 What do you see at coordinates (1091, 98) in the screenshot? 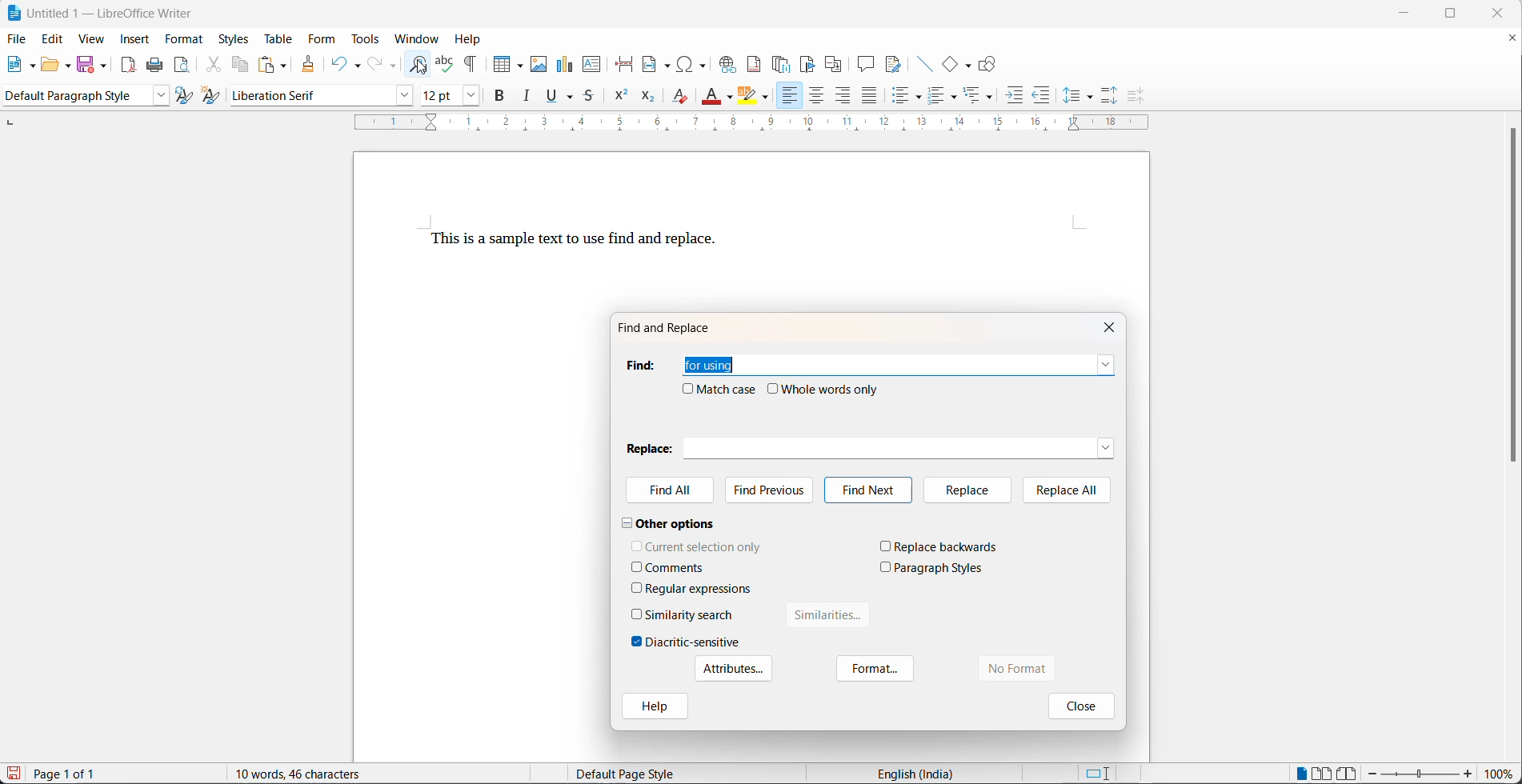
I see `line spacing` at bounding box center [1091, 98].